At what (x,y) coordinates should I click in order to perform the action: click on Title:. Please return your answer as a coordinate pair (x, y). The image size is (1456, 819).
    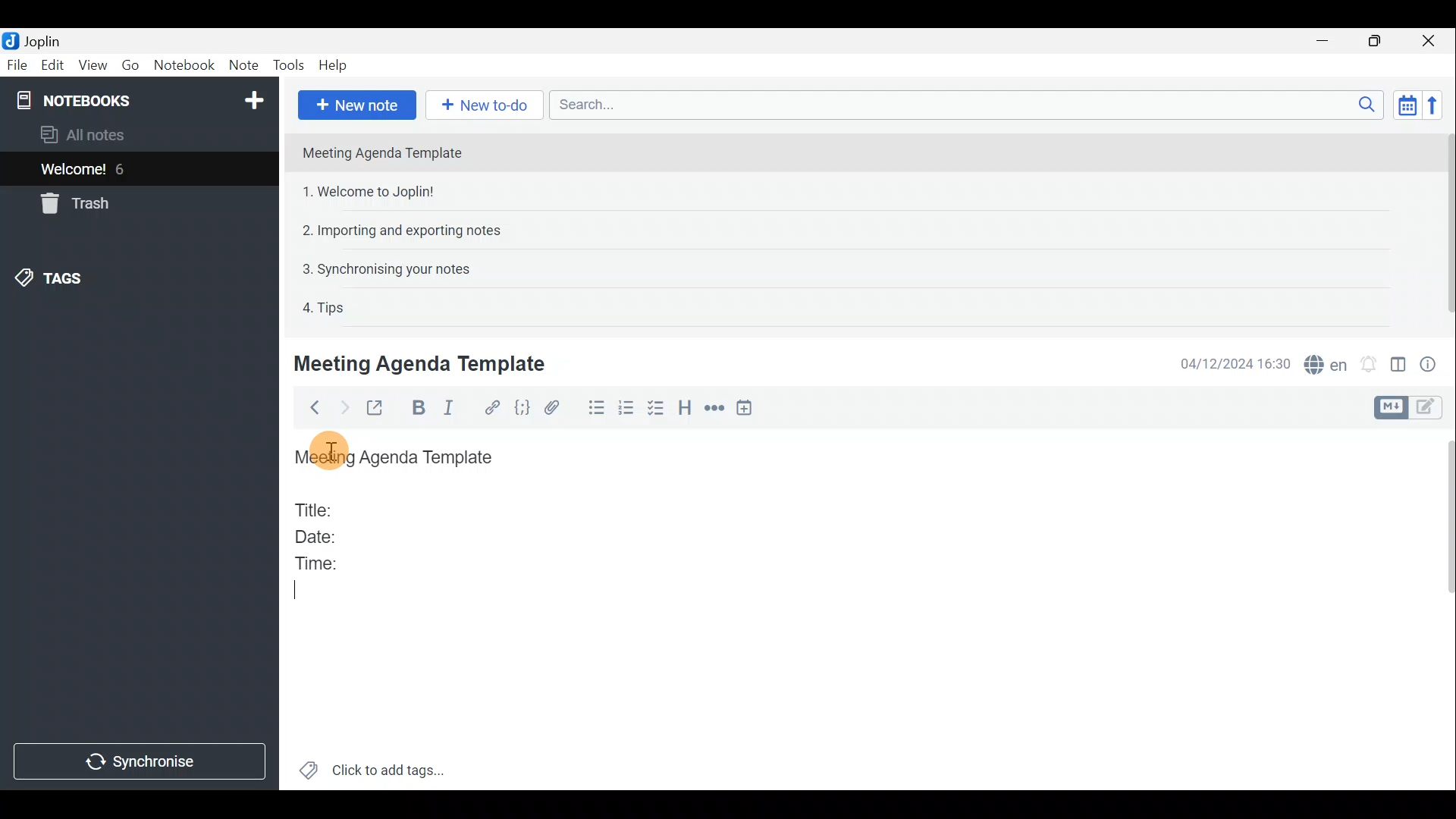
    Looking at the image, I should click on (316, 507).